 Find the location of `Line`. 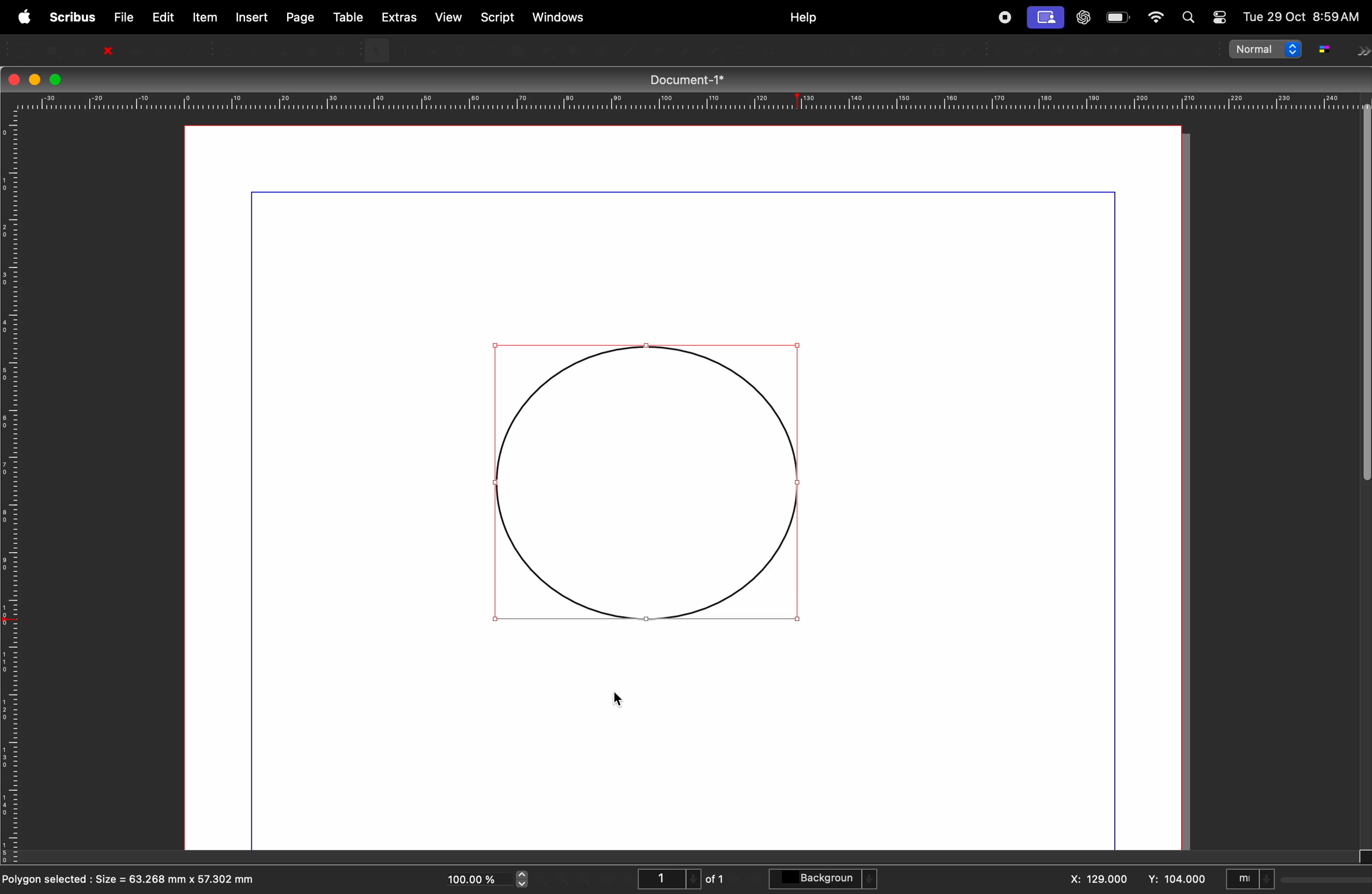

Line is located at coordinates (657, 50).